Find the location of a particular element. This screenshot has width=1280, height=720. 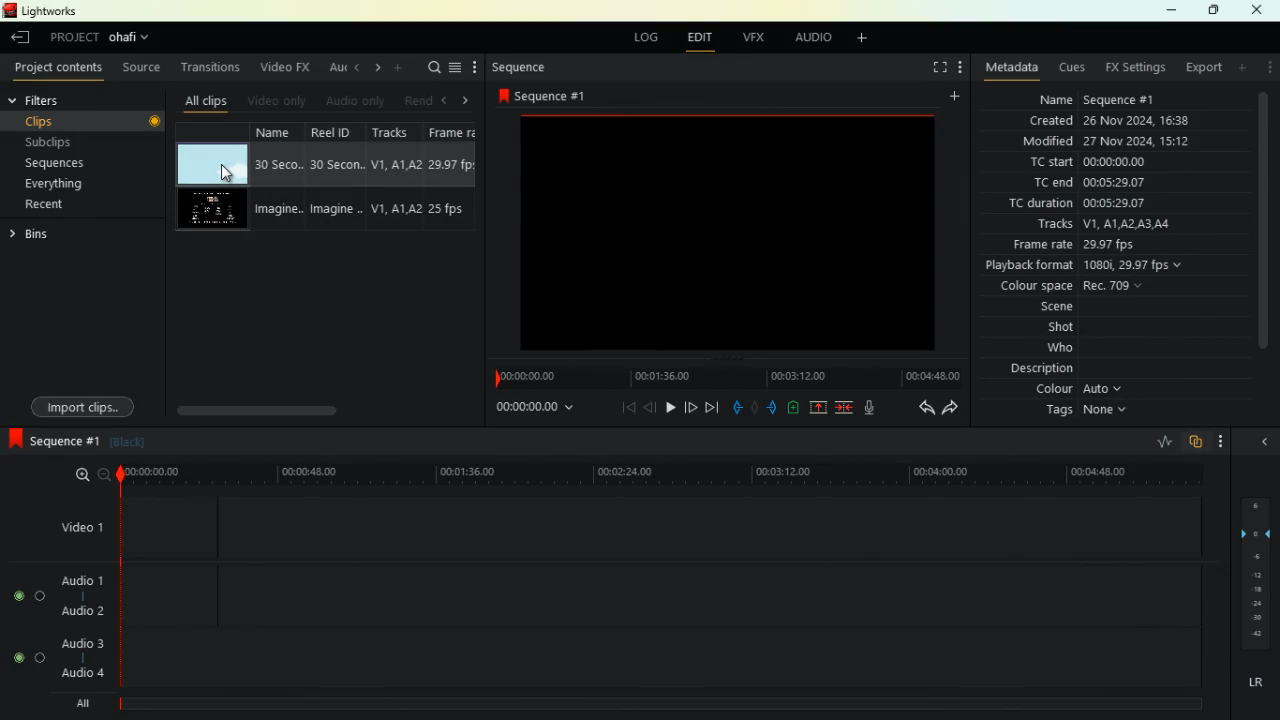

export is located at coordinates (1199, 67).